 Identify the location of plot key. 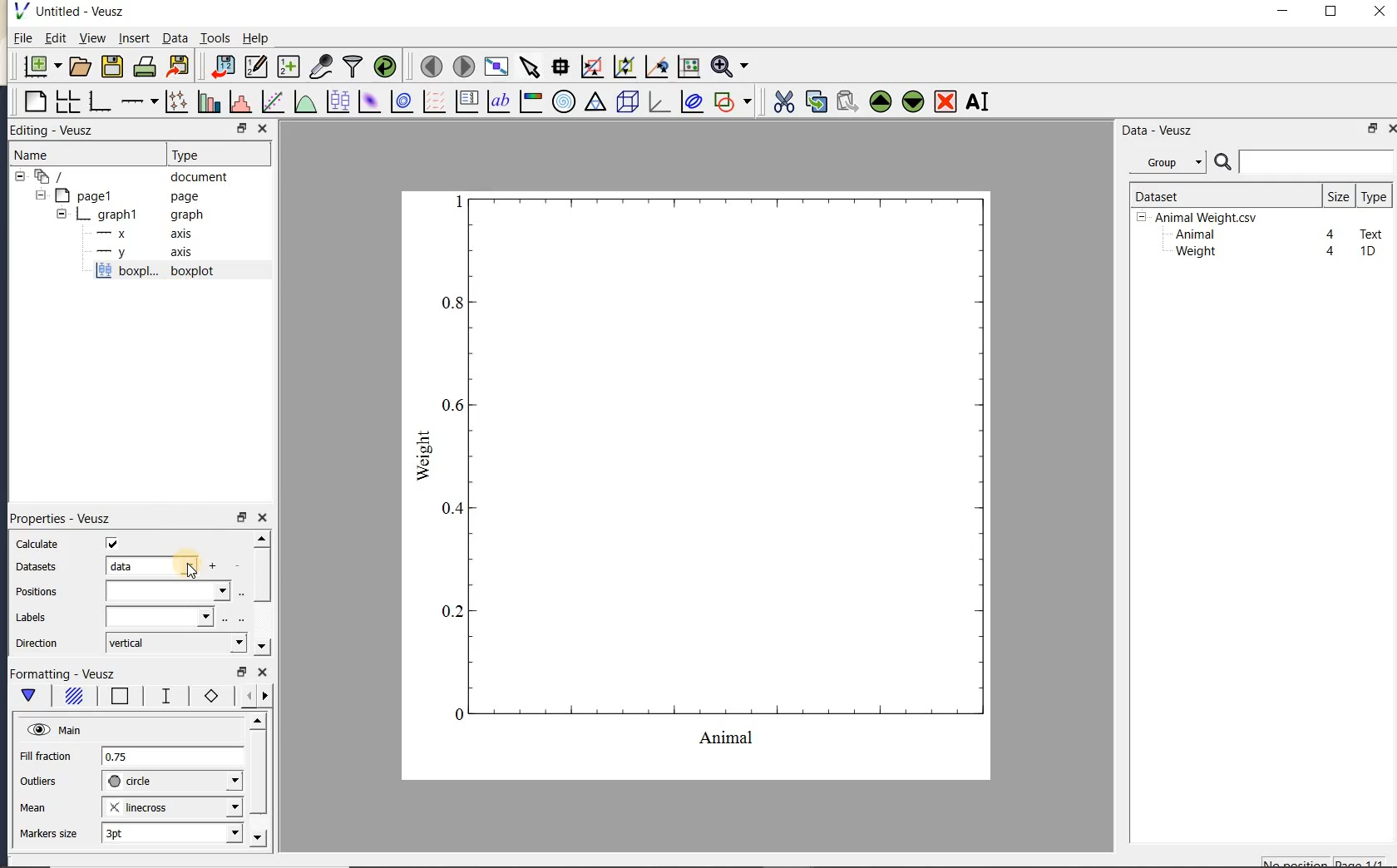
(465, 101).